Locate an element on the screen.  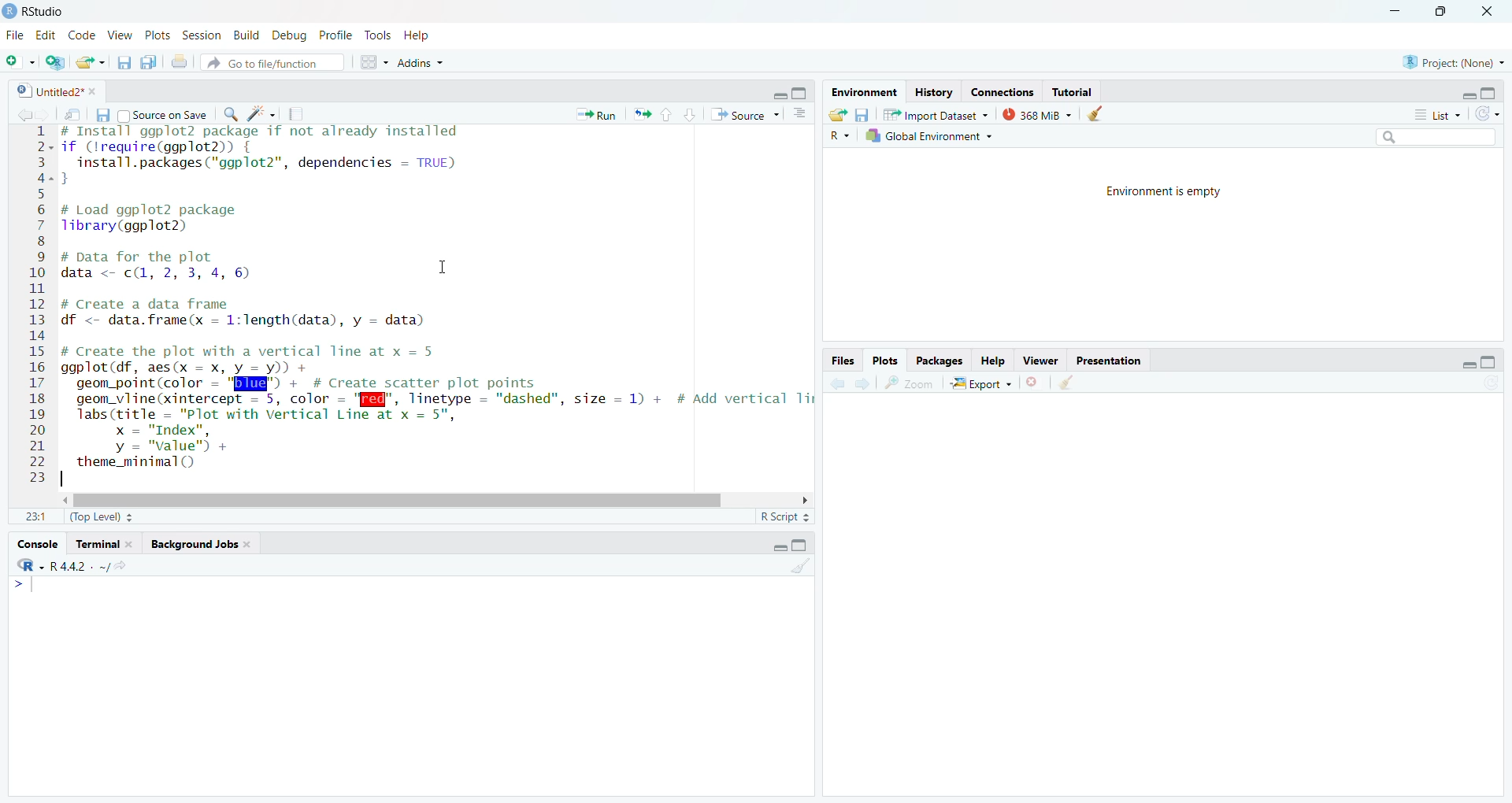
minimise is located at coordinates (772, 547).